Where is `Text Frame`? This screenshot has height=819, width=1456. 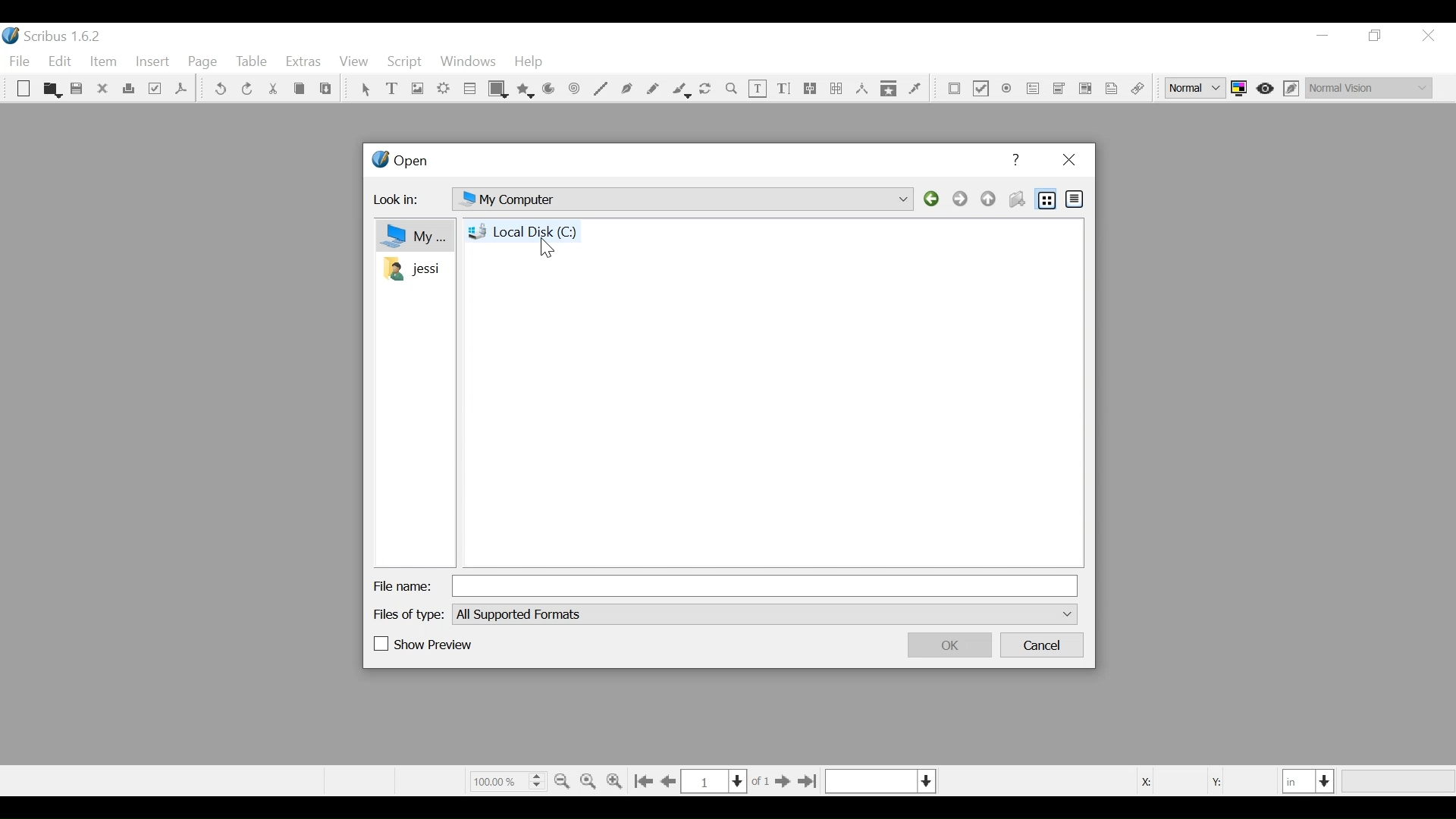 Text Frame is located at coordinates (394, 89).